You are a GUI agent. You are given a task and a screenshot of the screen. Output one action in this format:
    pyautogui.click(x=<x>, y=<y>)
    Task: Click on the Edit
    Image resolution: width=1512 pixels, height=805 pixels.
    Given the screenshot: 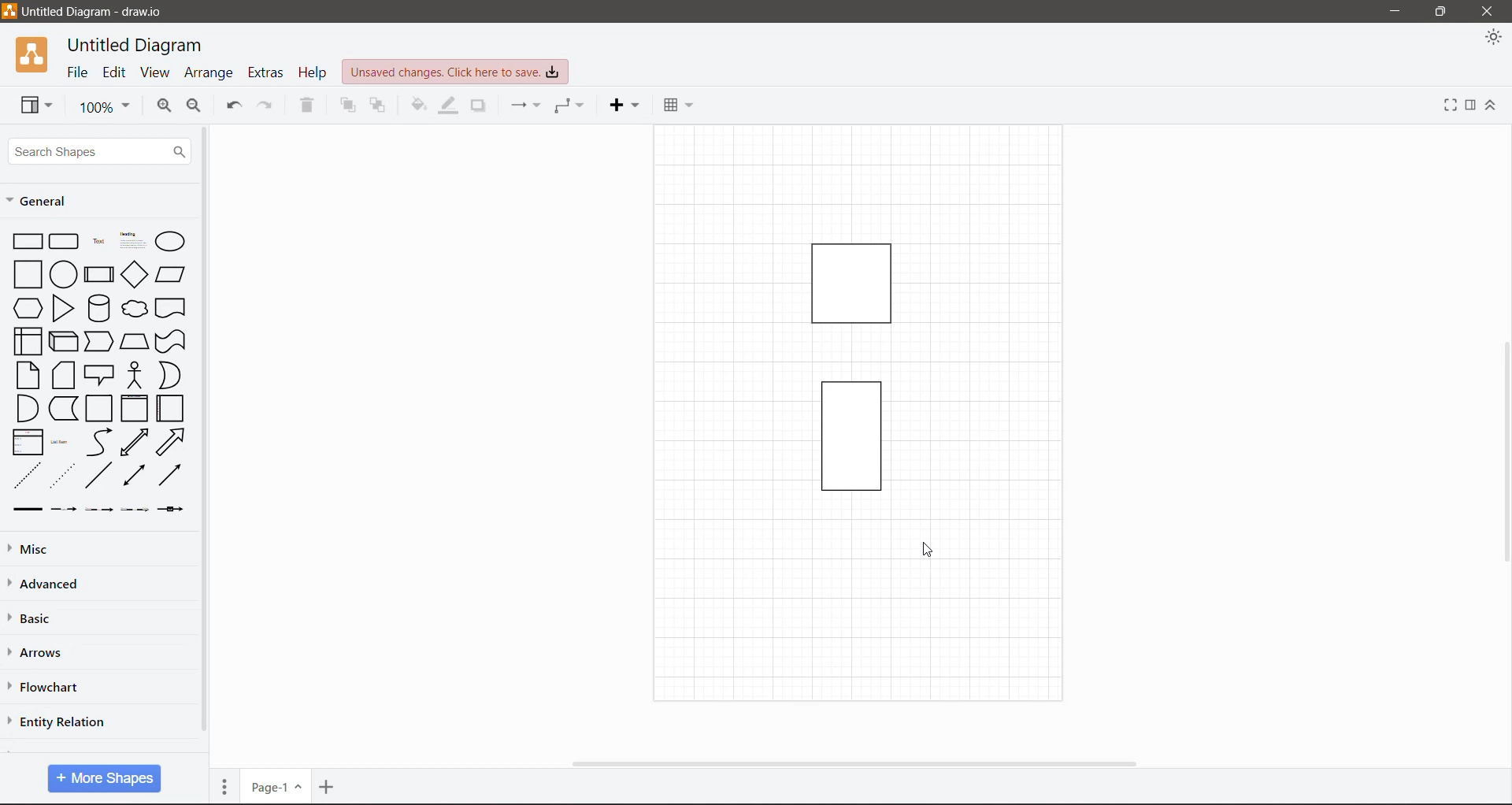 What is the action you would take?
    pyautogui.click(x=115, y=73)
    